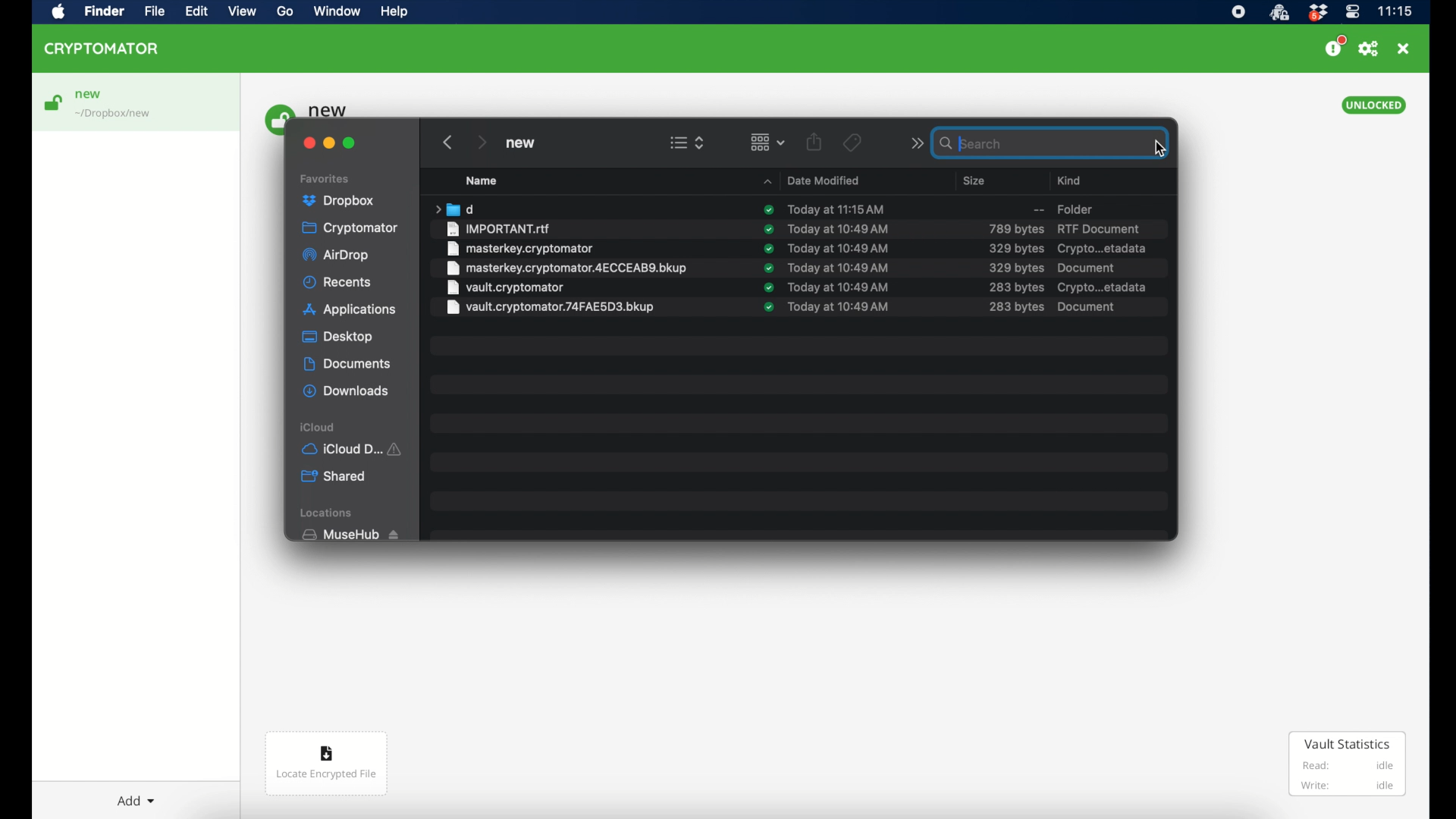  Describe the element at coordinates (769, 287) in the screenshot. I see `syncs` at that location.